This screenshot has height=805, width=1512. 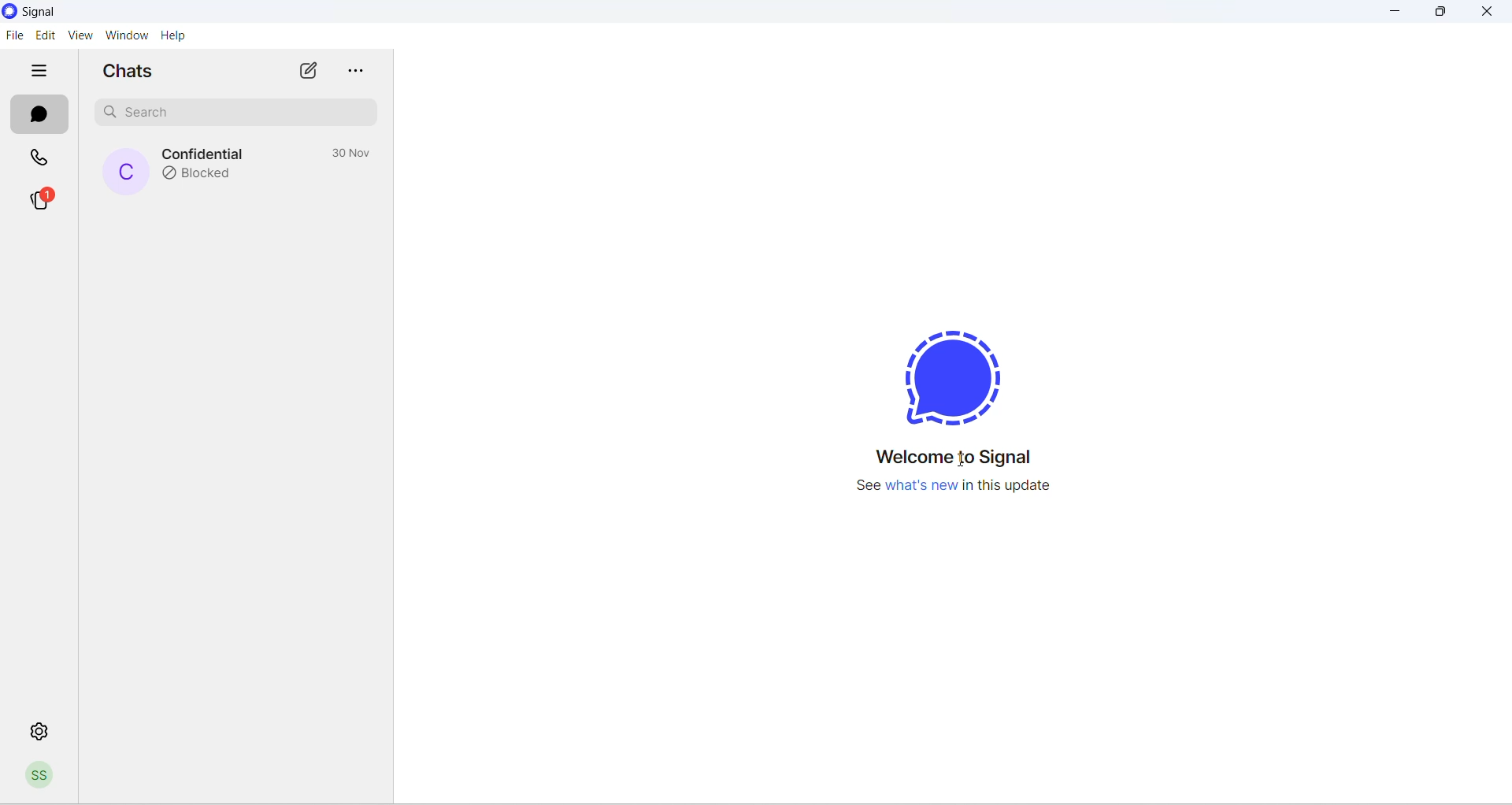 I want to click on chats heading, so click(x=129, y=69).